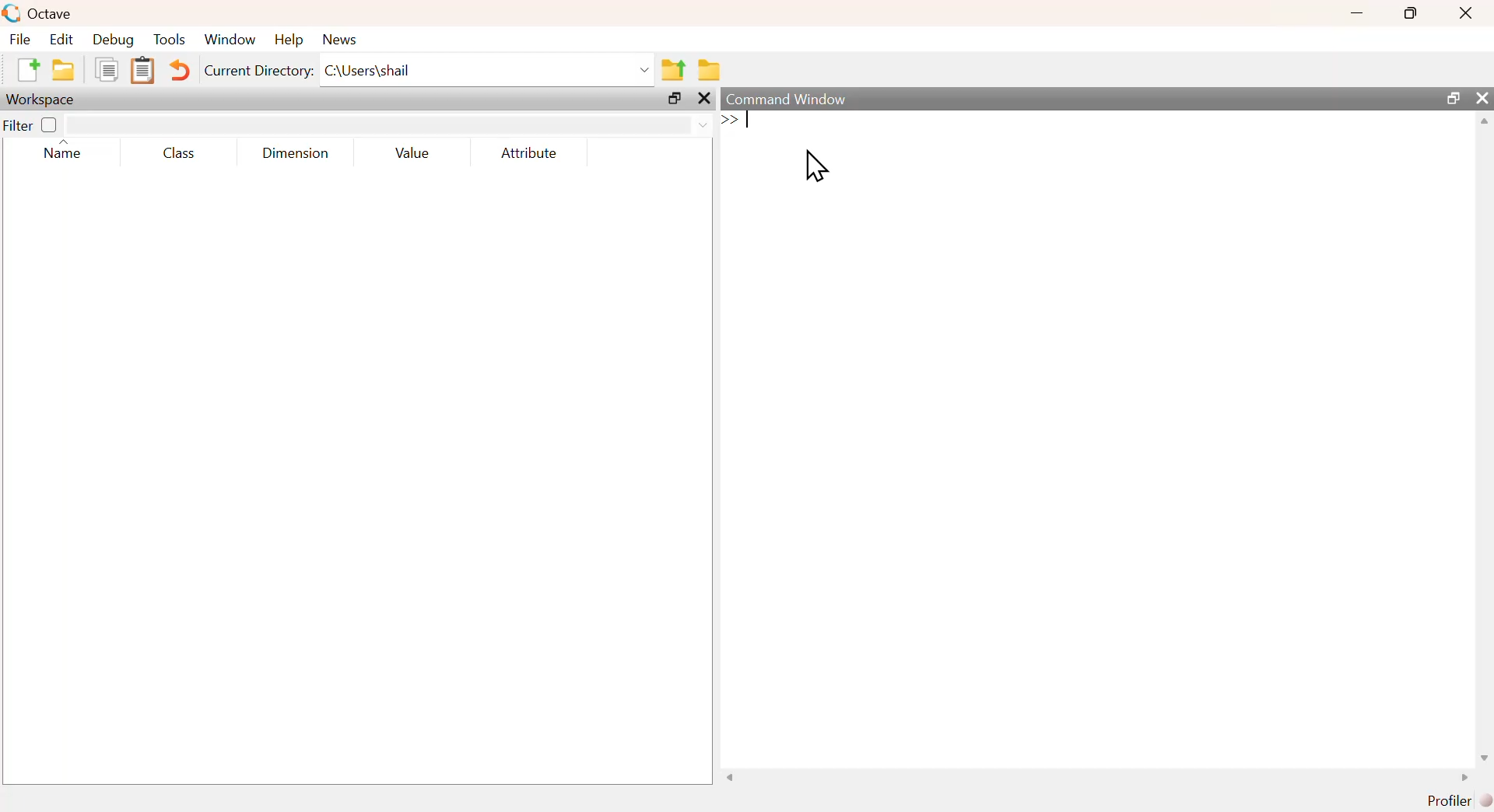 The width and height of the screenshot is (1494, 812). What do you see at coordinates (63, 69) in the screenshot?
I see `open an existing file in editor` at bounding box center [63, 69].